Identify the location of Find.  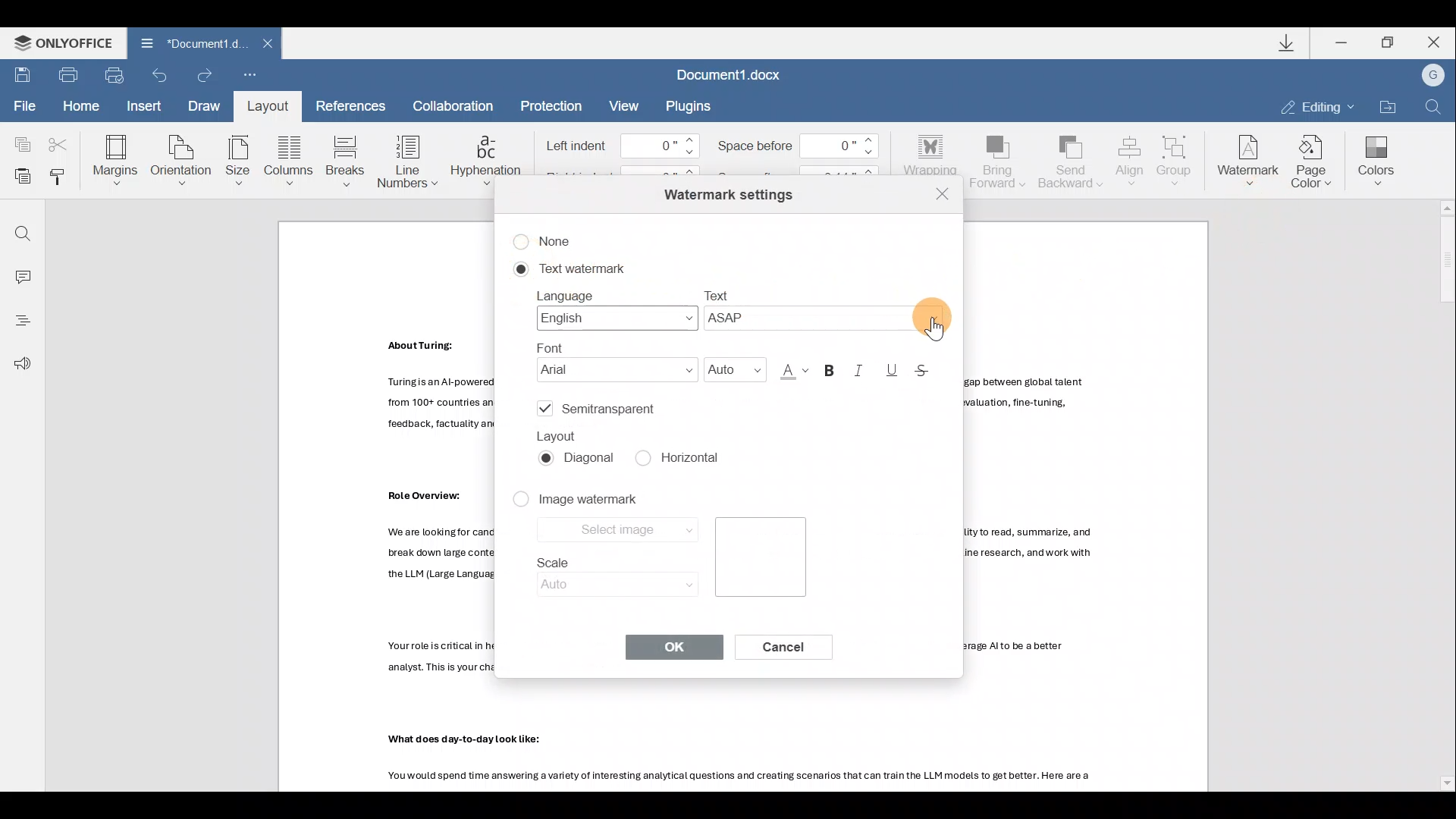
(1433, 105).